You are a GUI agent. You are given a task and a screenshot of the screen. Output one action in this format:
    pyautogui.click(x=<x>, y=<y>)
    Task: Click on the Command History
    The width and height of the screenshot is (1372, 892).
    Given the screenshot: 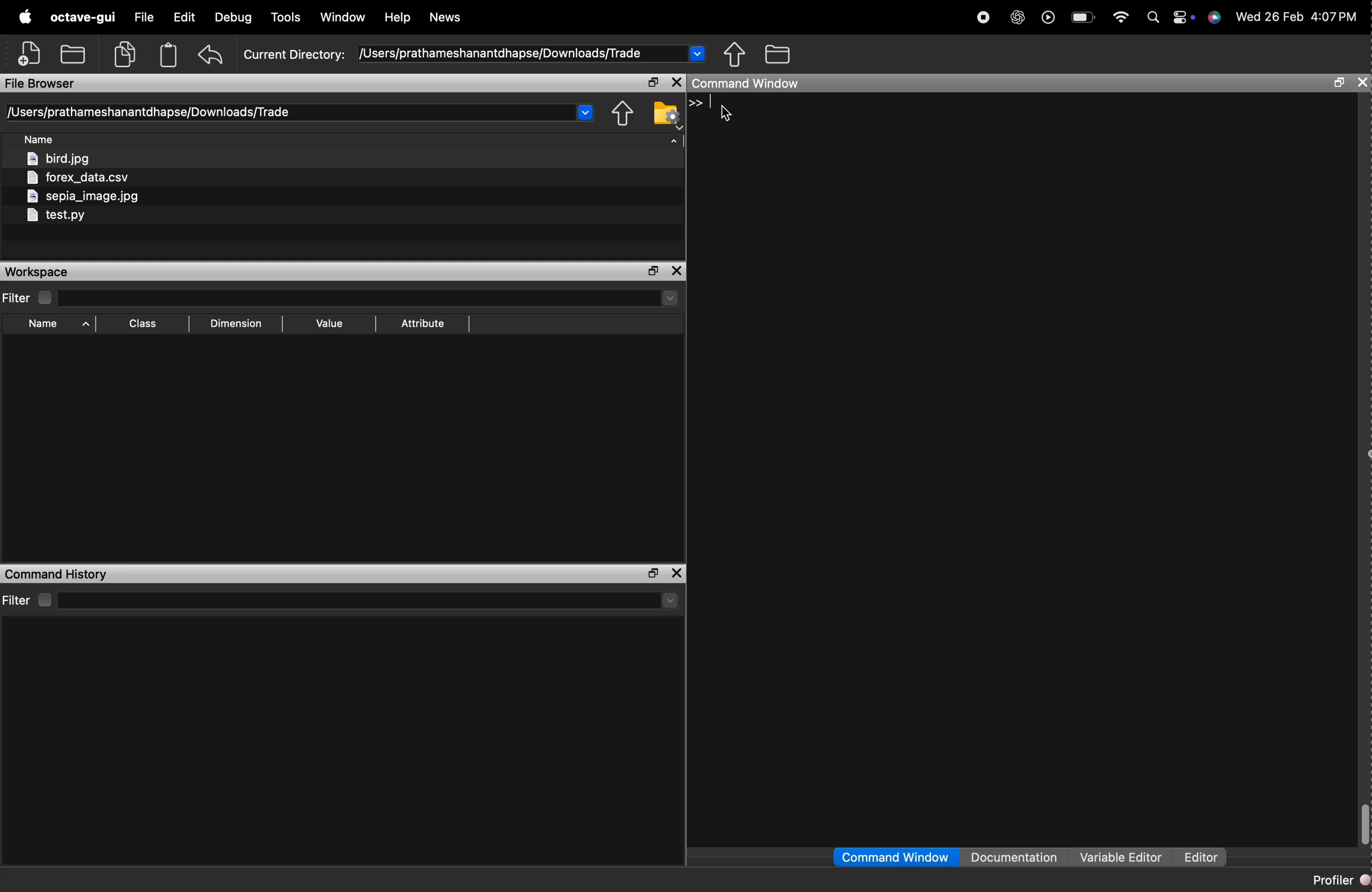 What is the action you would take?
    pyautogui.click(x=57, y=574)
    